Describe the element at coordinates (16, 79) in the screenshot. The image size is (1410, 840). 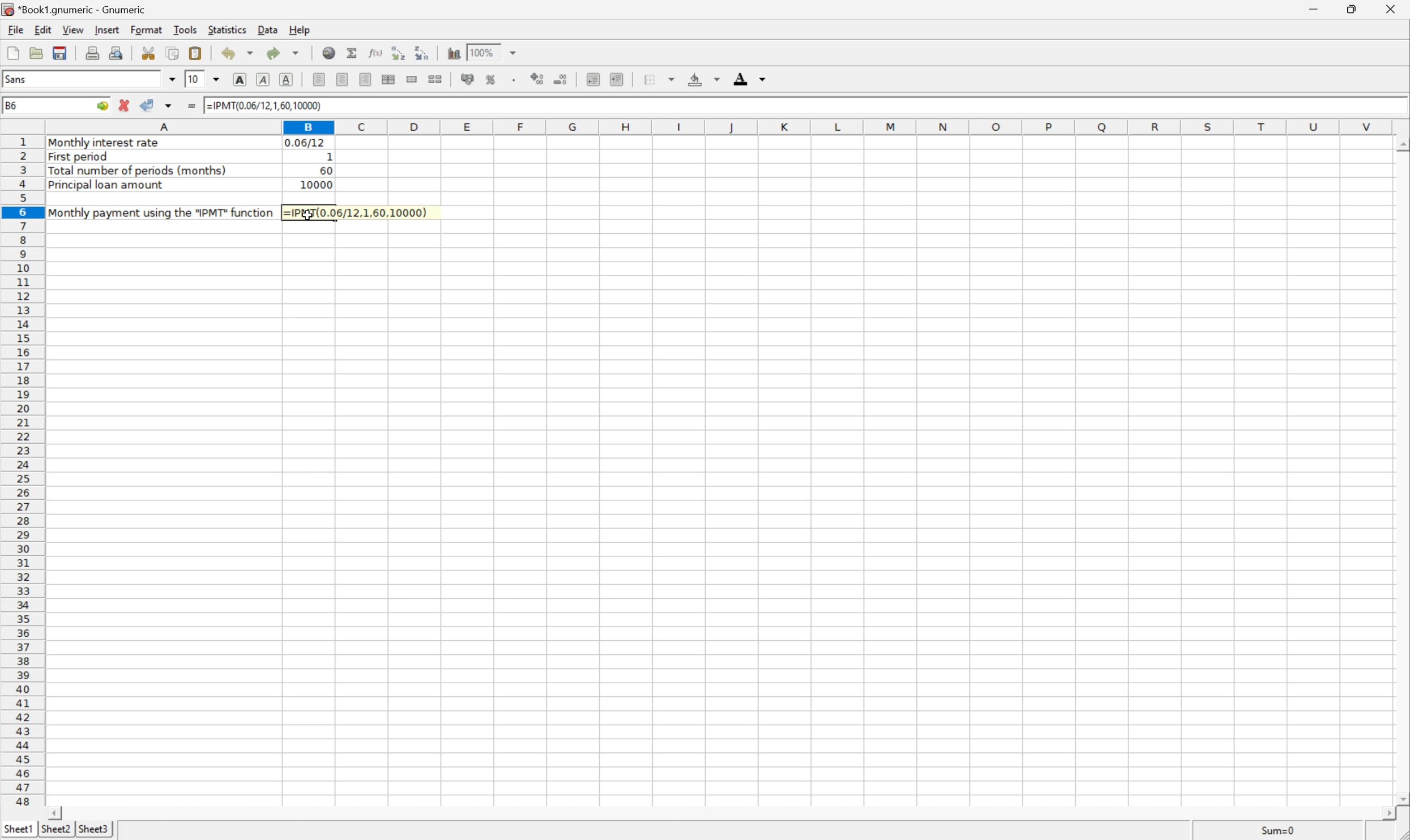
I see `Sans` at that location.